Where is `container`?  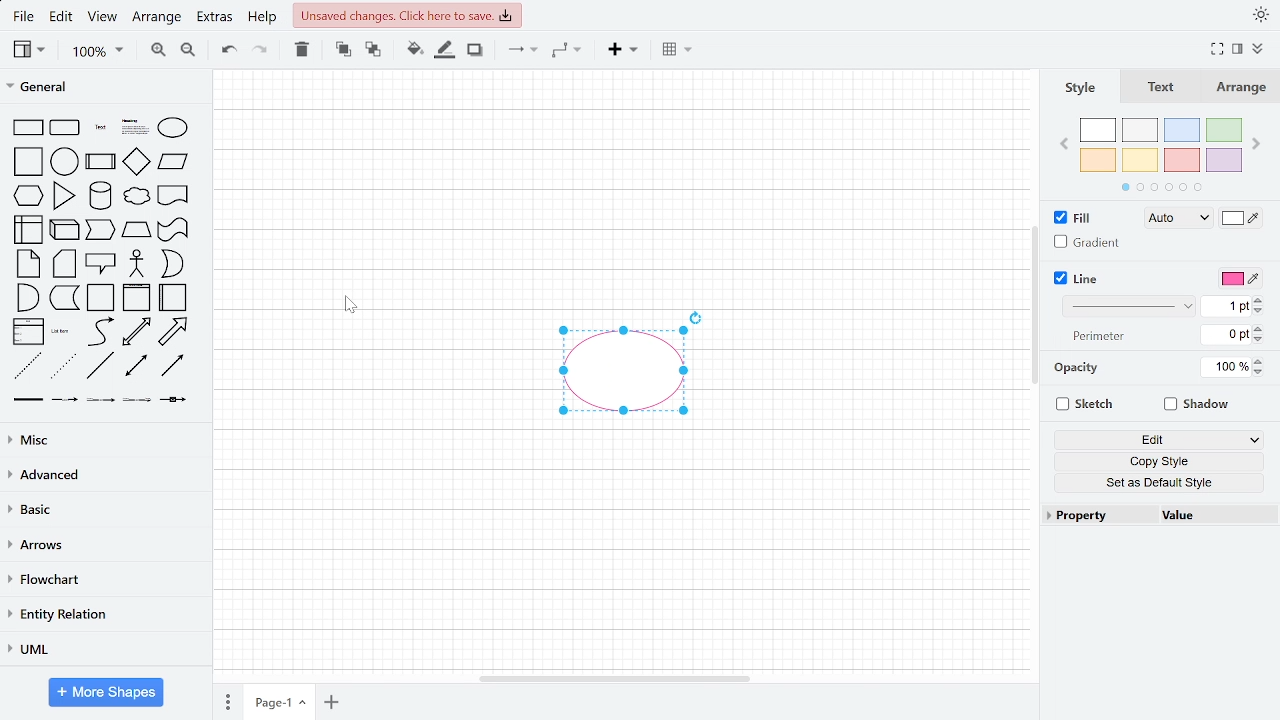
container is located at coordinates (101, 298).